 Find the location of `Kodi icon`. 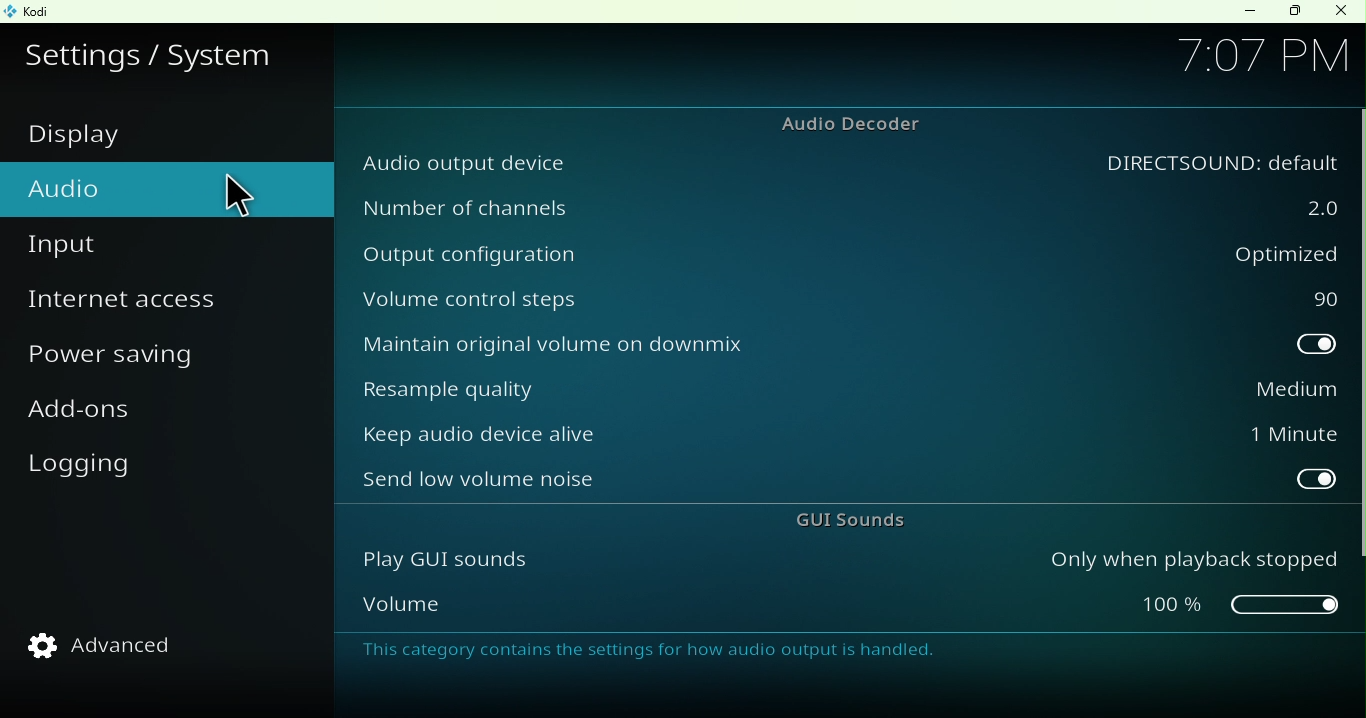

Kodi icon is located at coordinates (32, 11).